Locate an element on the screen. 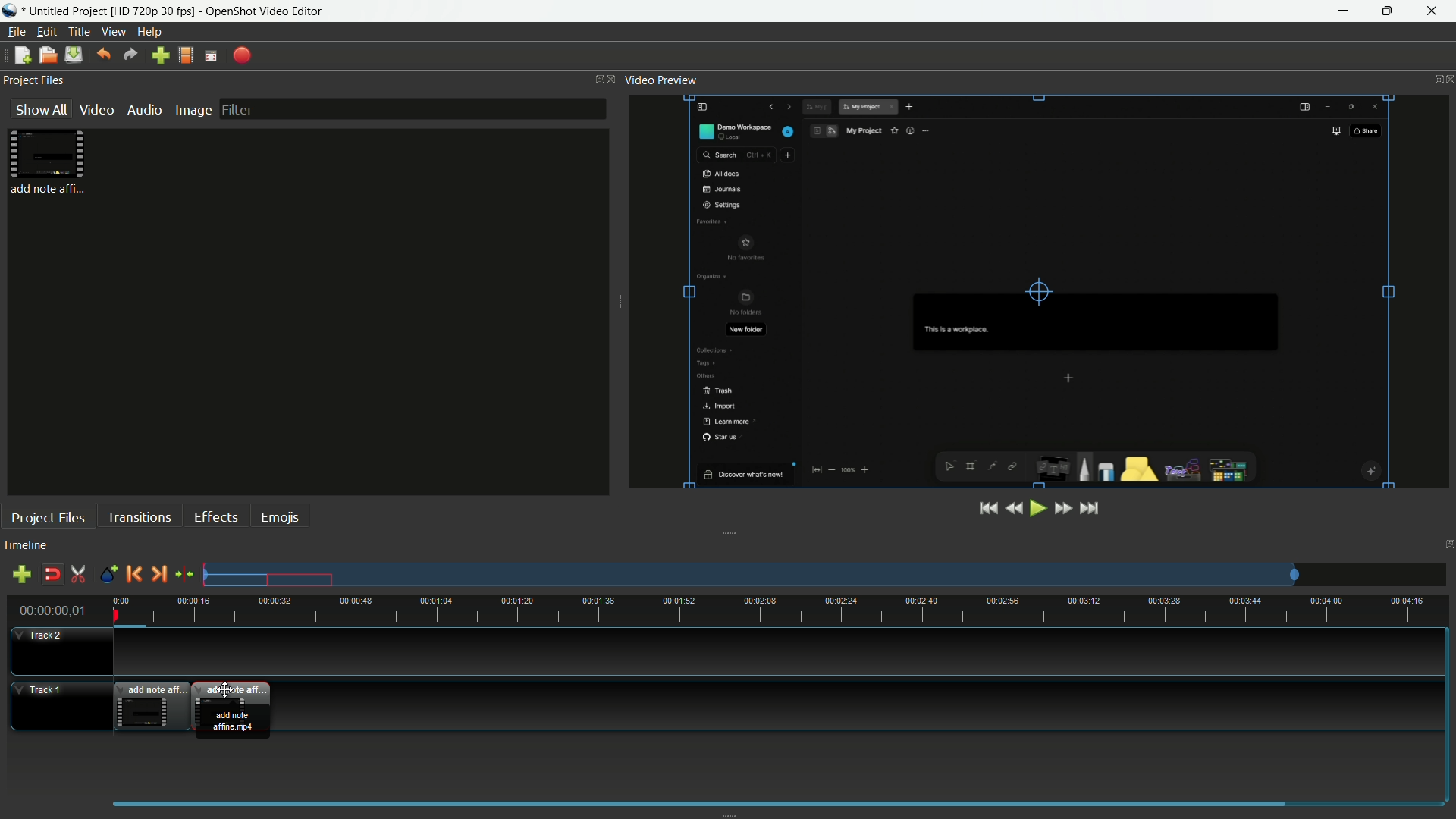 The image size is (1456, 819). new file is located at coordinates (23, 55).